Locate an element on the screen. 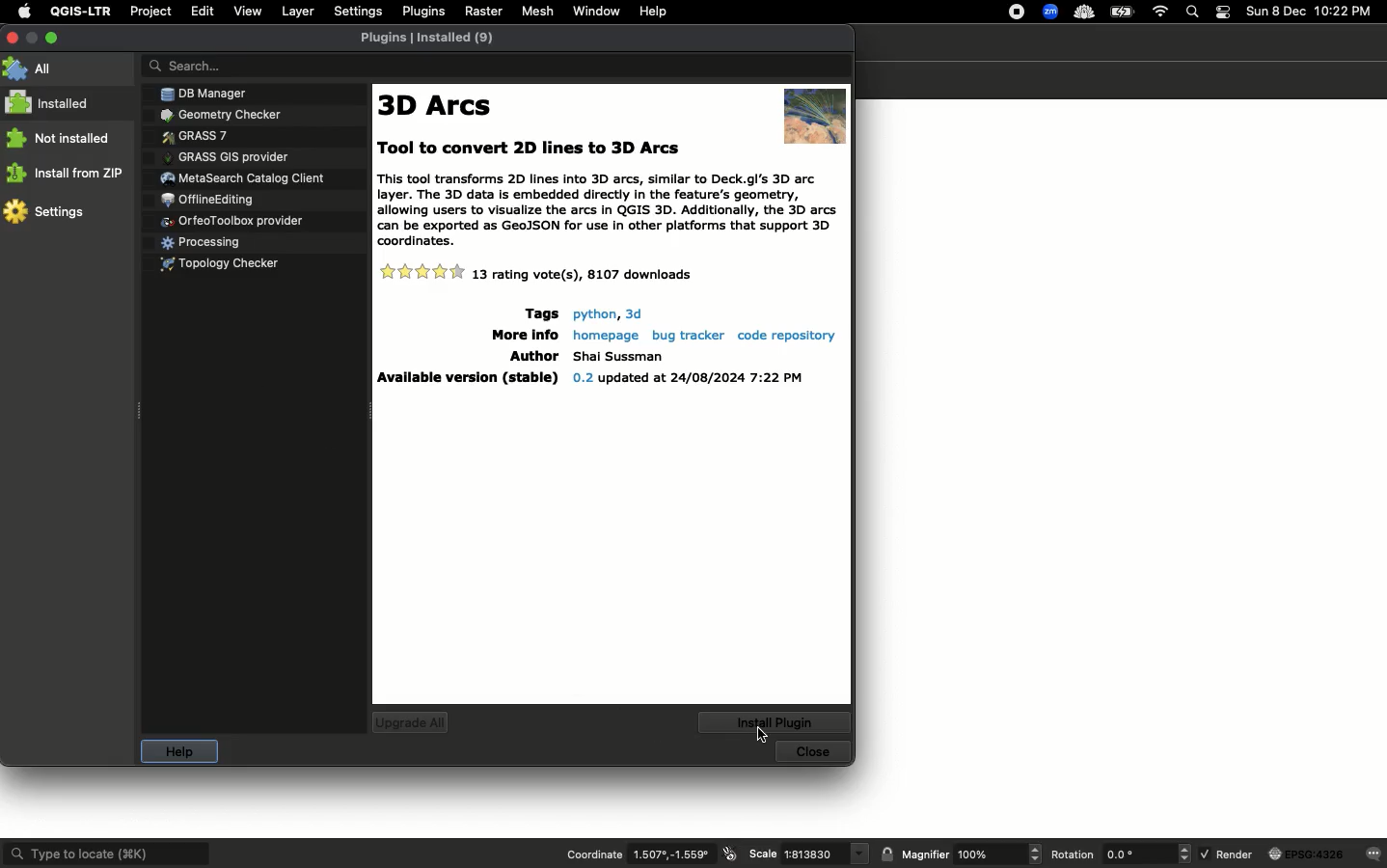  Plugins is located at coordinates (208, 198).